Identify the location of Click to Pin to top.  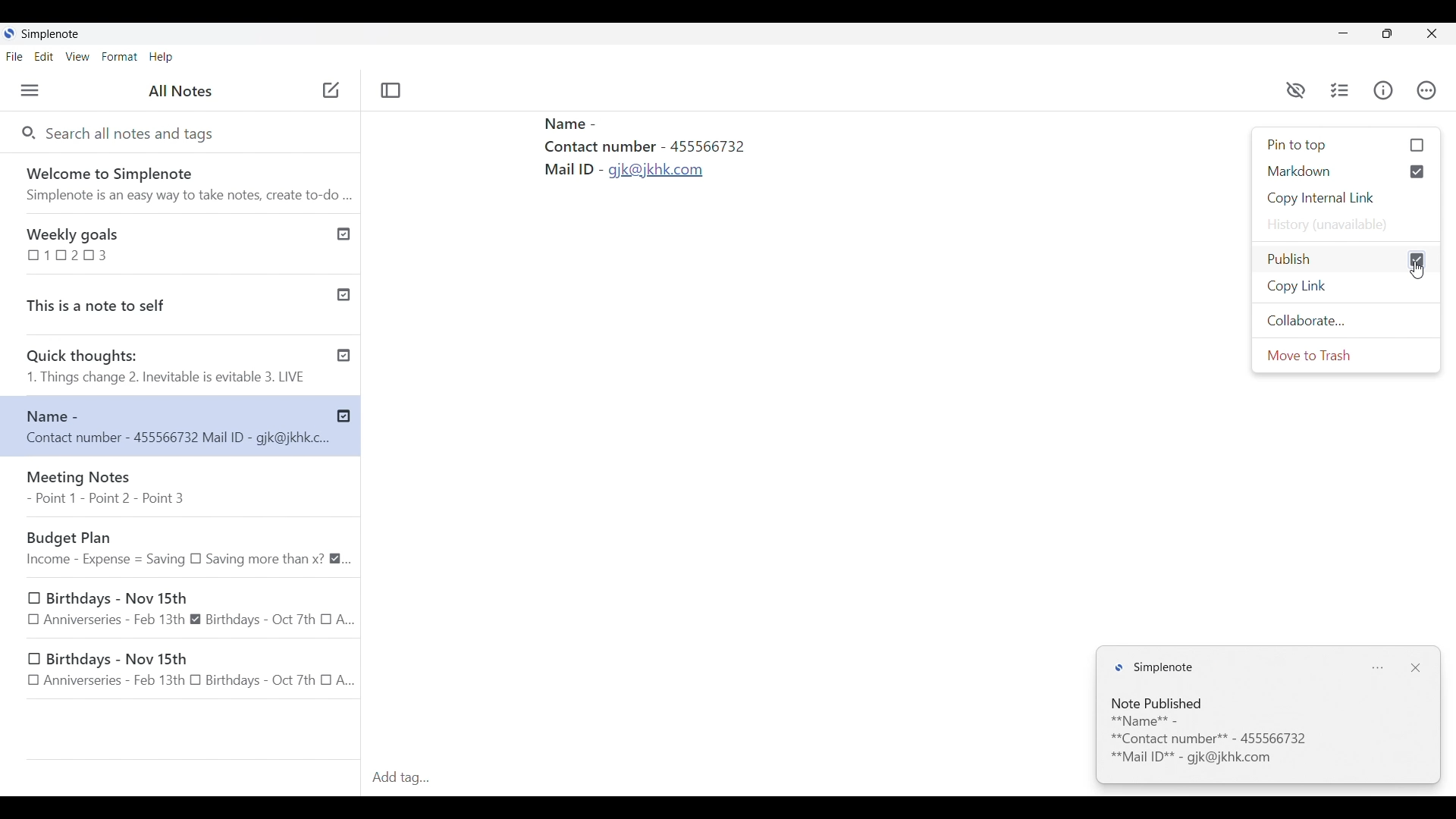
(1347, 146).